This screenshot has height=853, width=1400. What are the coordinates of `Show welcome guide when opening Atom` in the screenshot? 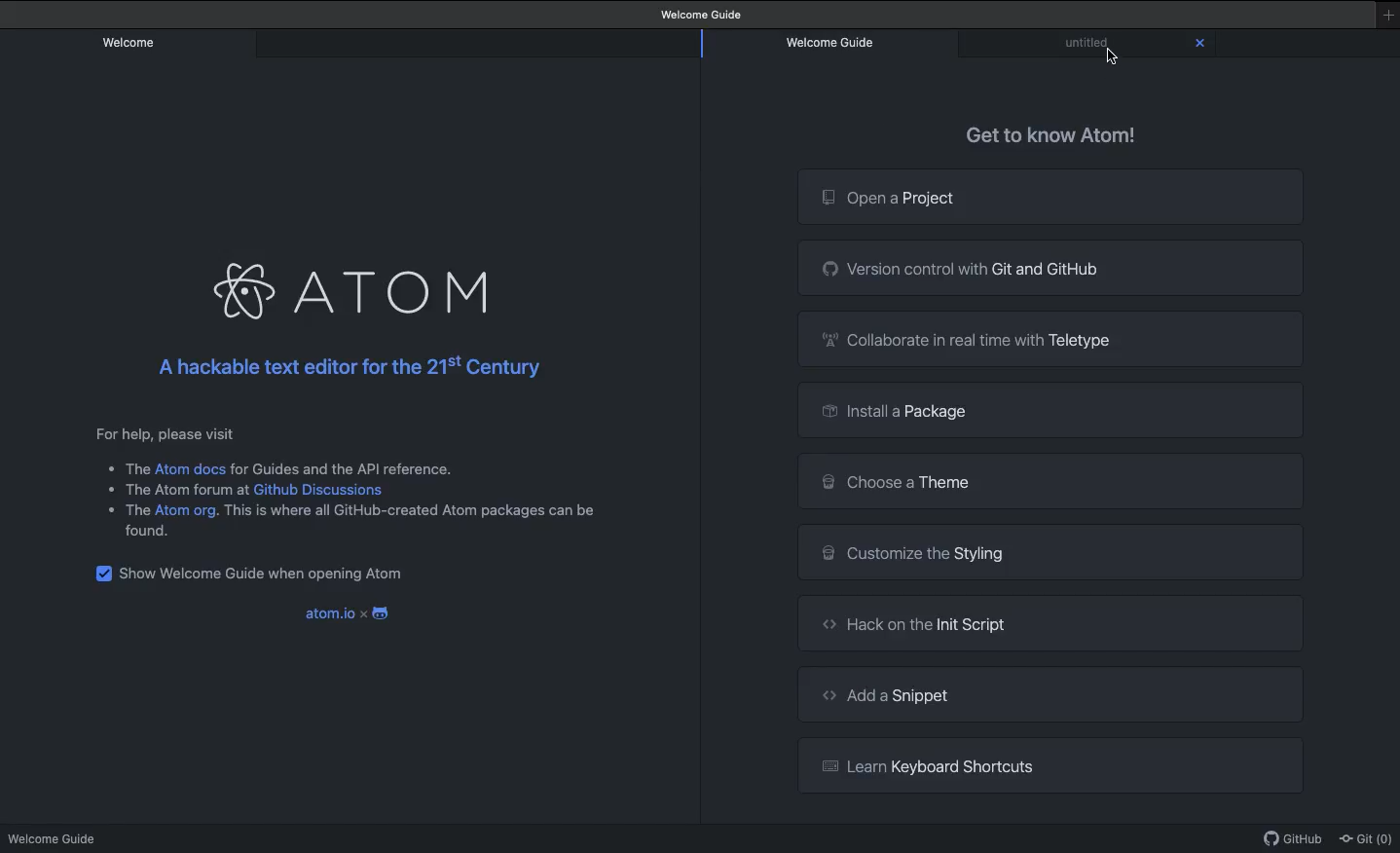 It's located at (258, 571).